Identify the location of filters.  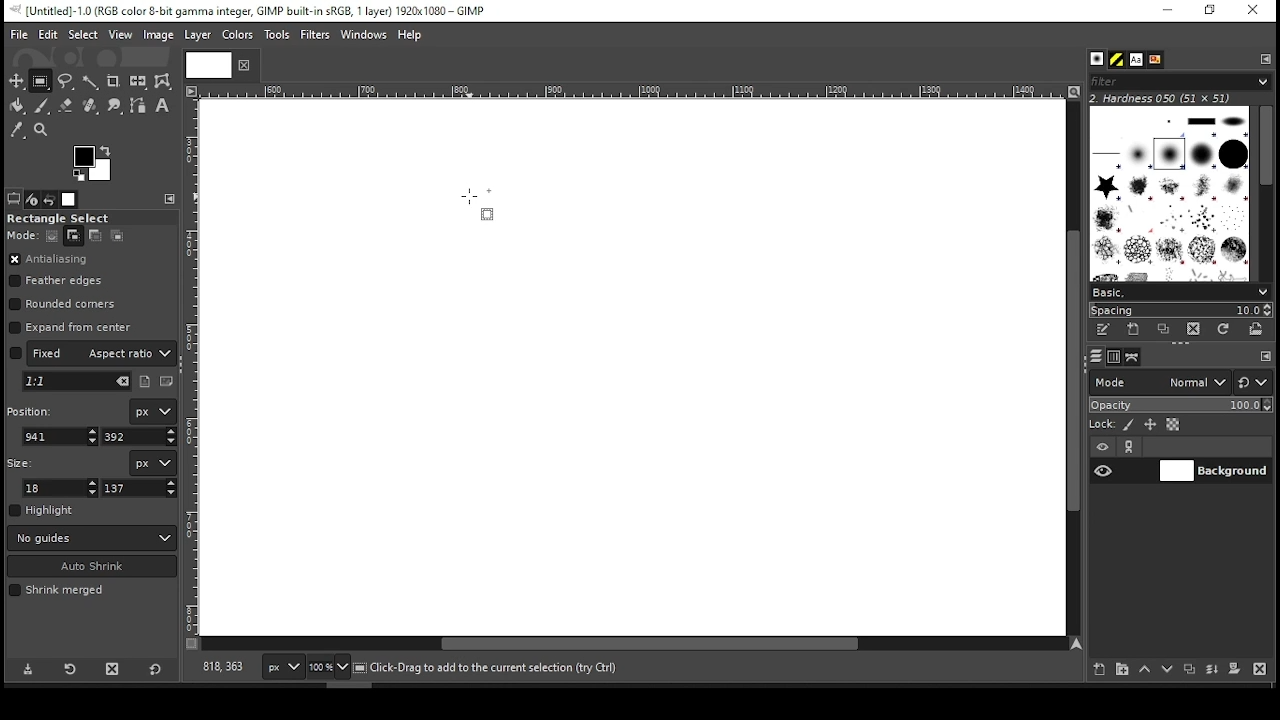
(1177, 82).